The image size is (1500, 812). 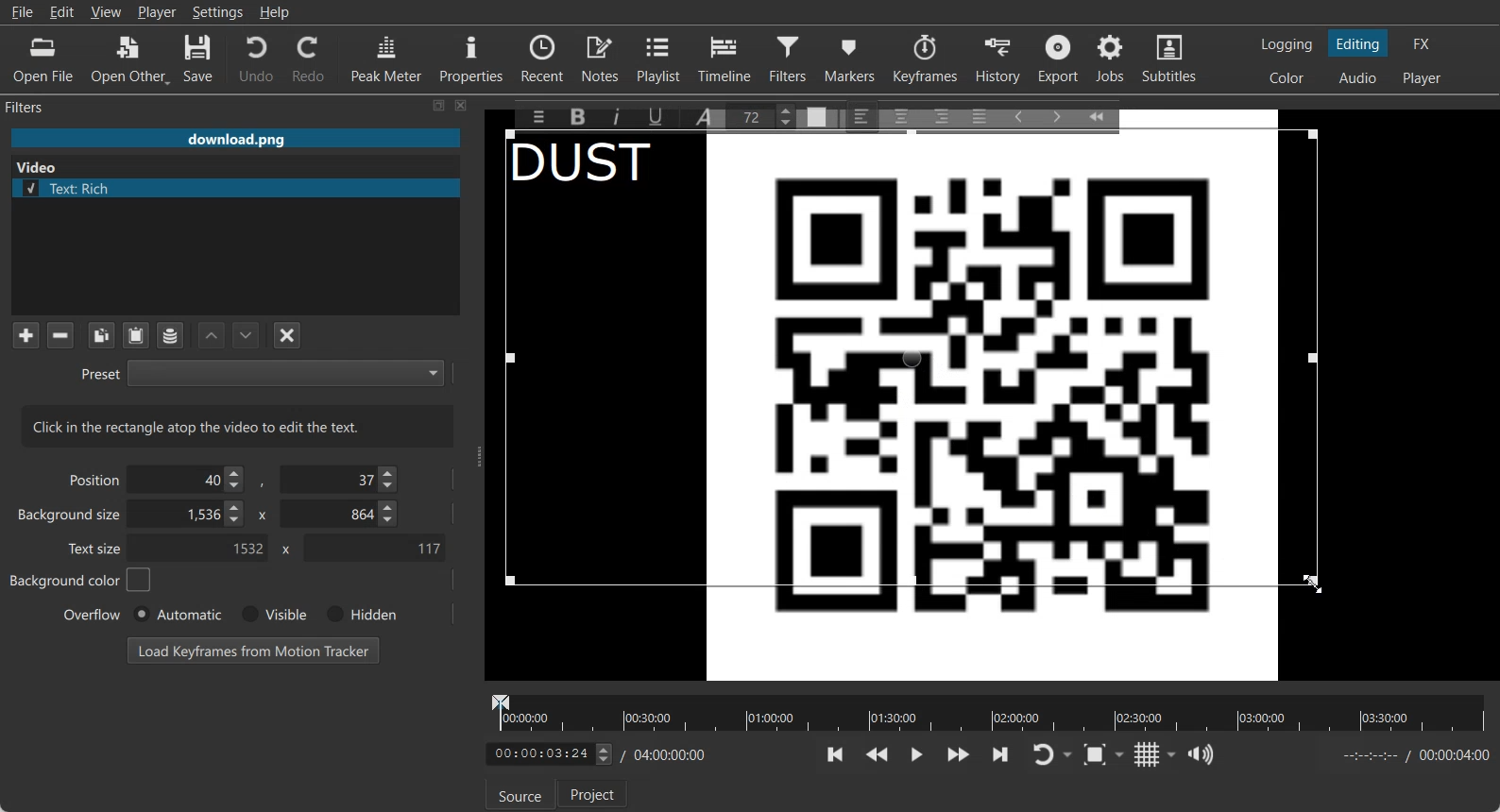 What do you see at coordinates (1172, 754) in the screenshot?
I see `Drop down box` at bounding box center [1172, 754].